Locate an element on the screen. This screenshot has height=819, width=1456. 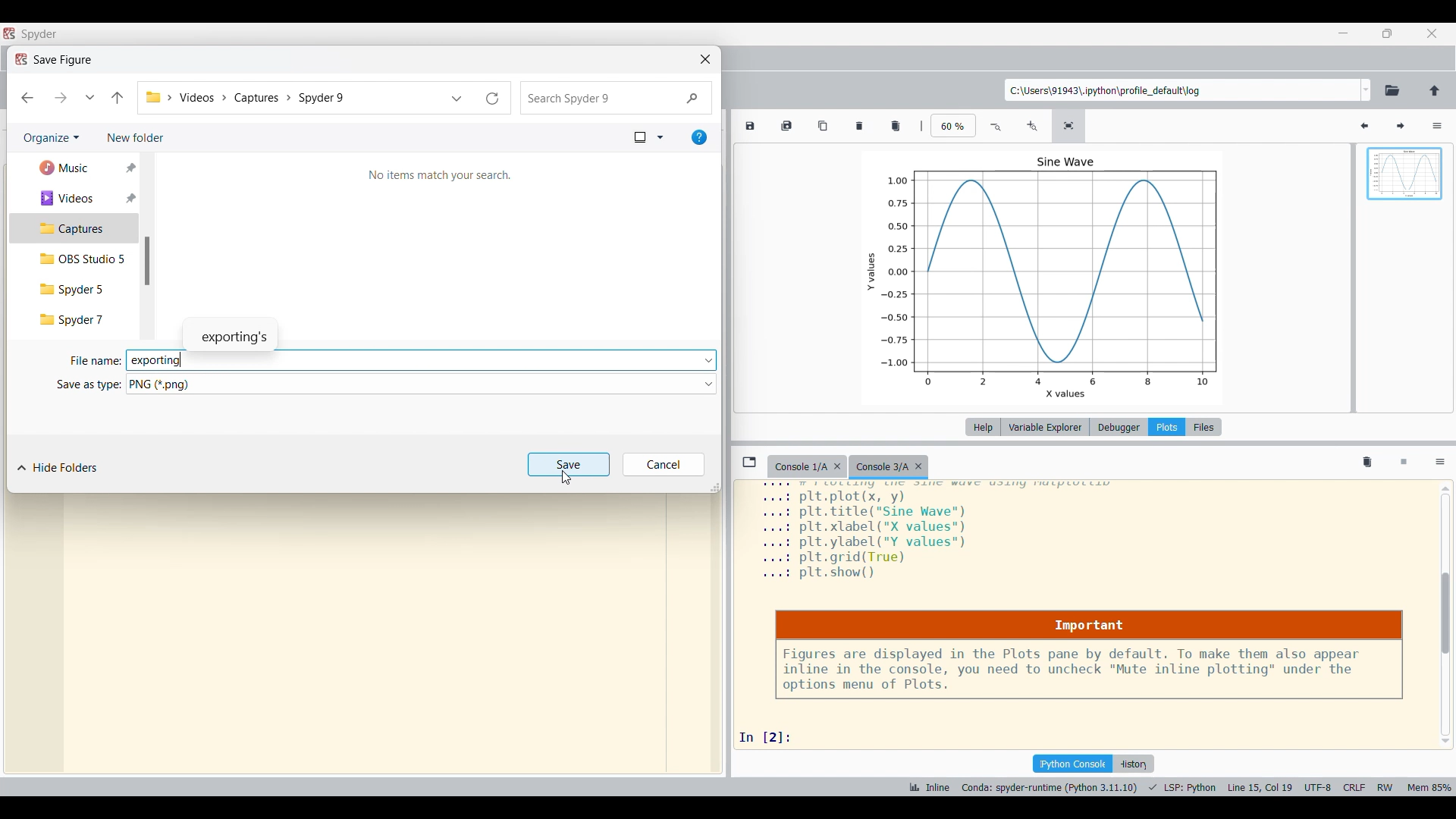
Organize options is located at coordinates (52, 139).